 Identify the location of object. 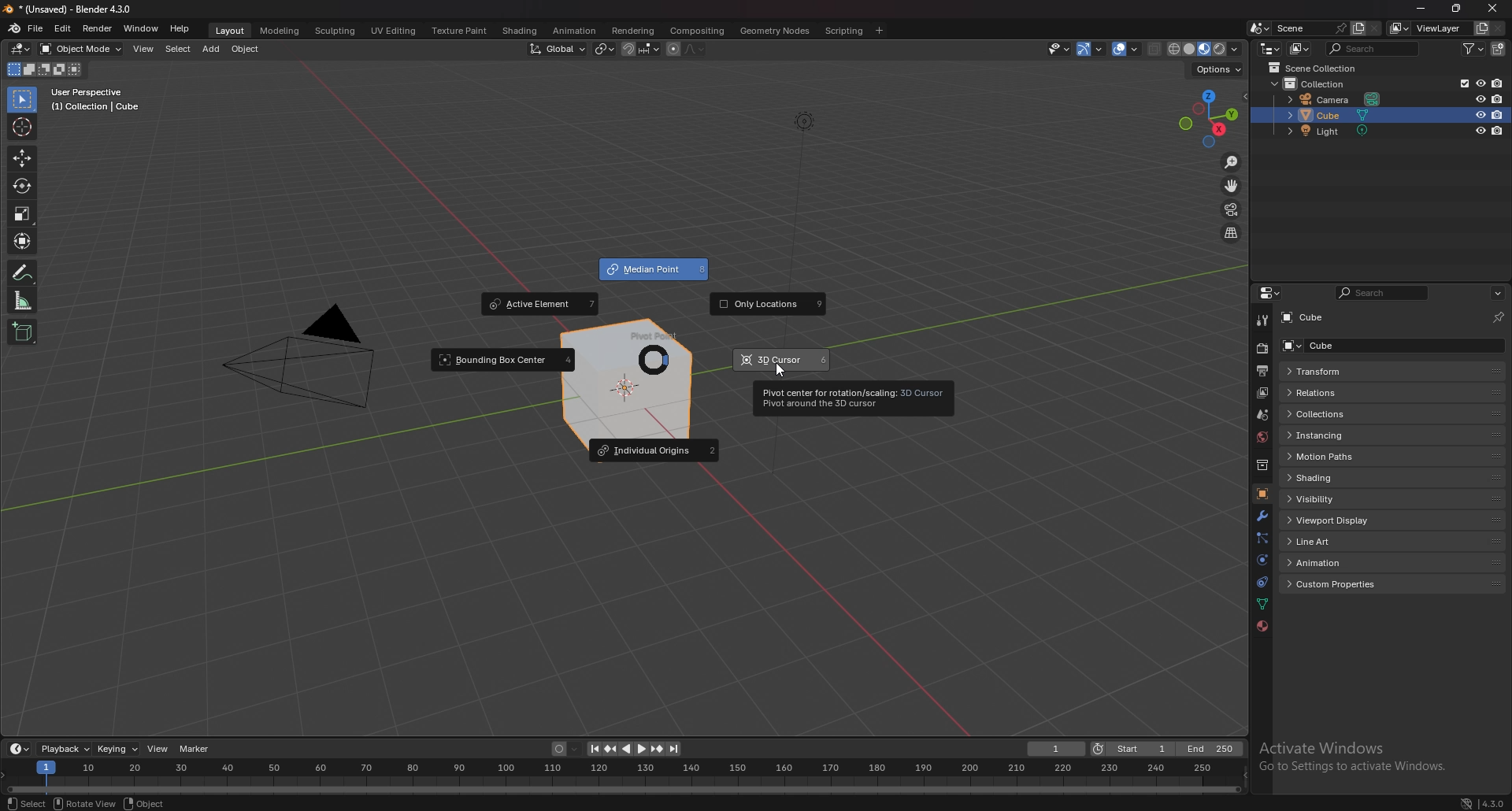
(246, 49).